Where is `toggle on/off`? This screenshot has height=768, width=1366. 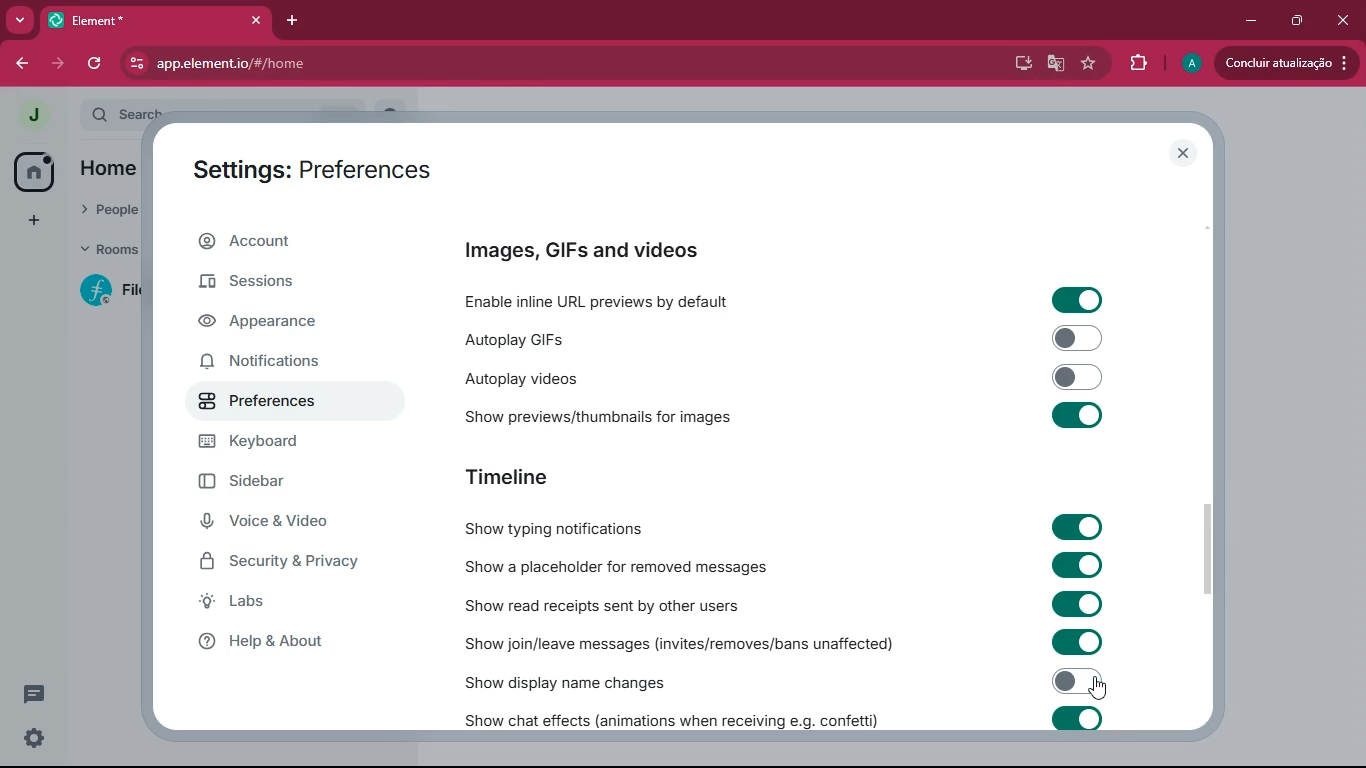
toggle on/off is located at coordinates (1078, 300).